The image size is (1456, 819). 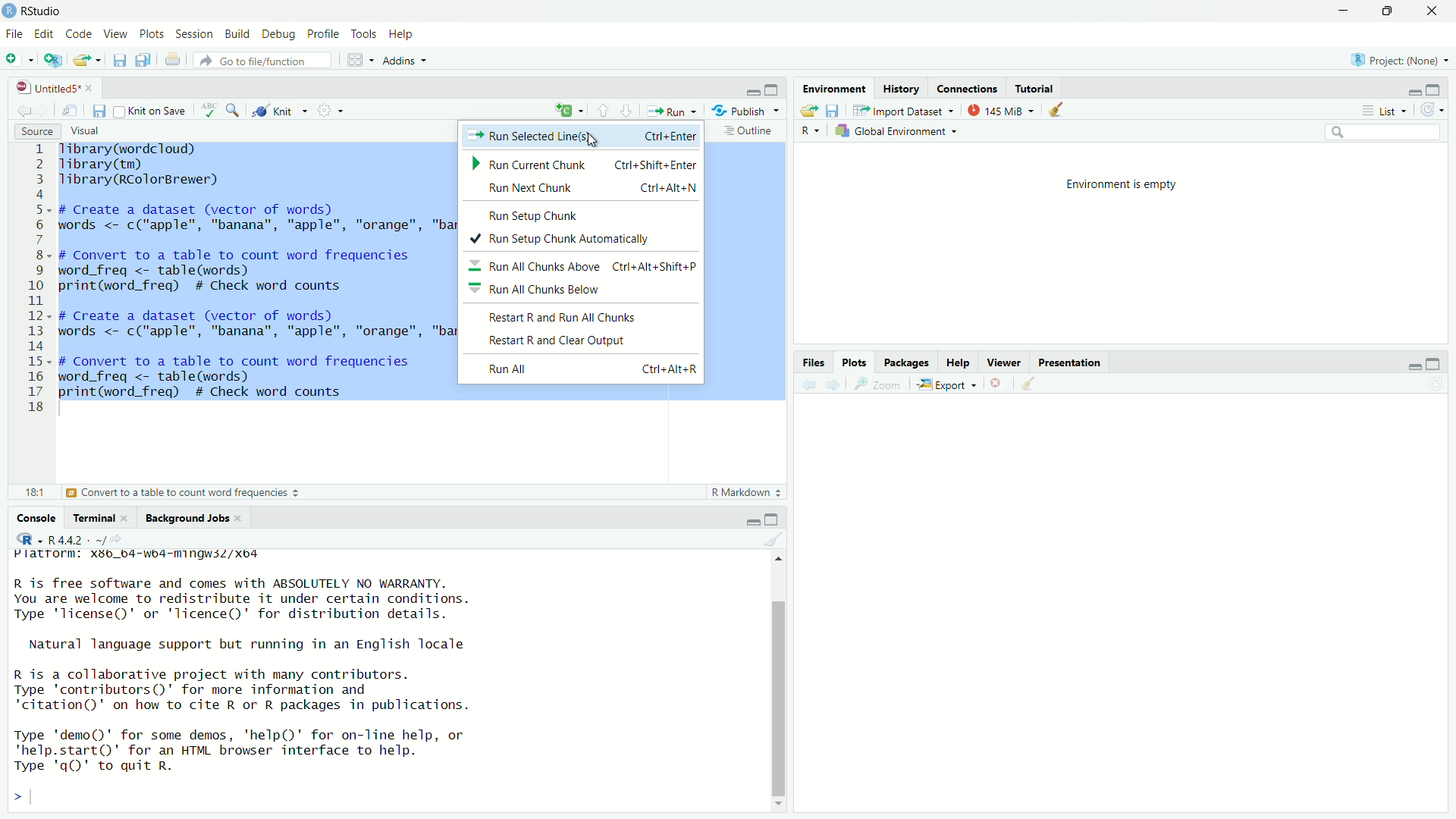 What do you see at coordinates (878, 384) in the screenshot?
I see `Zoom` at bounding box center [878, 384].